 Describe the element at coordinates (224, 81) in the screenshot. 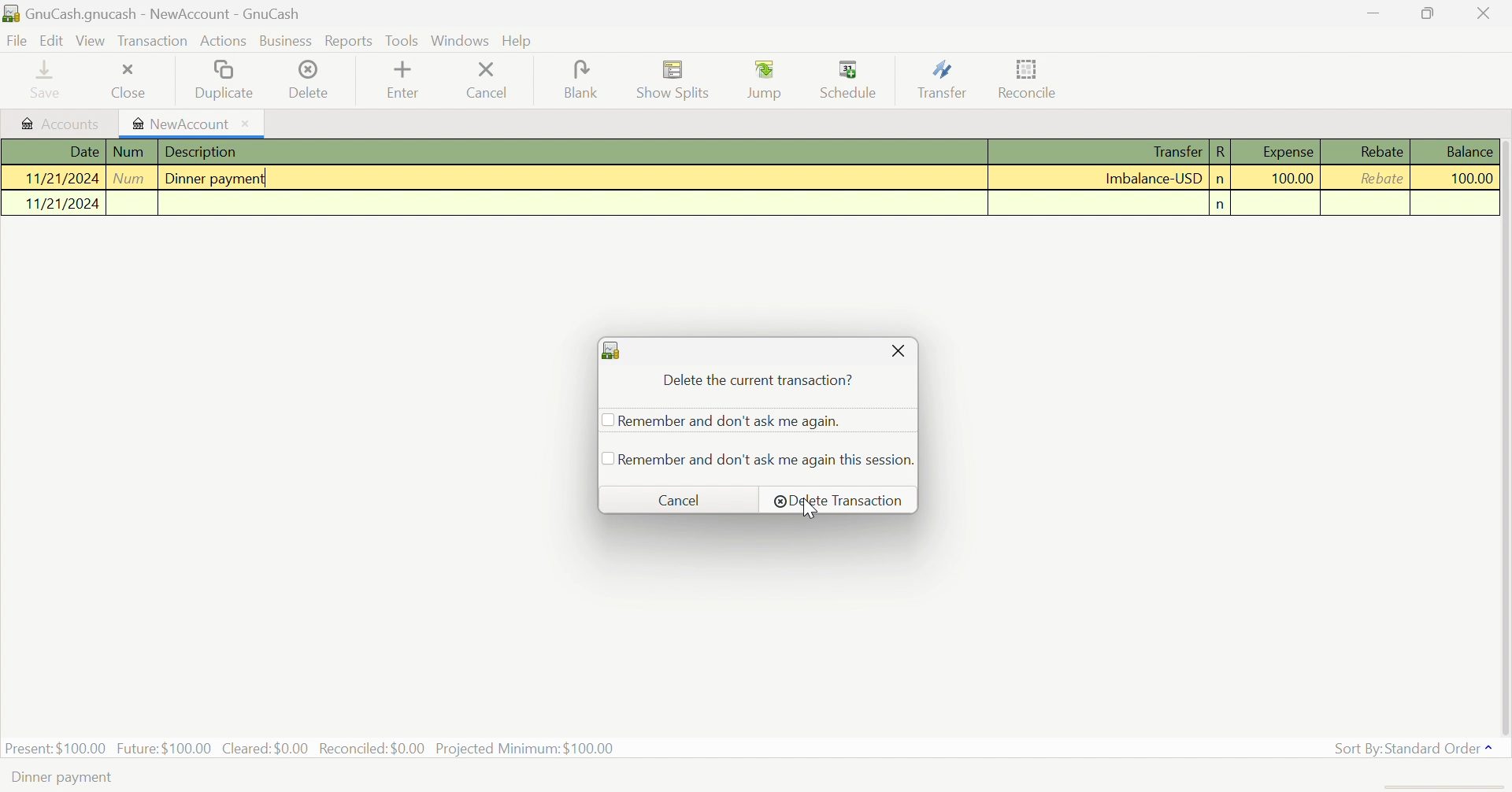

I see `Duplicate` at that location.